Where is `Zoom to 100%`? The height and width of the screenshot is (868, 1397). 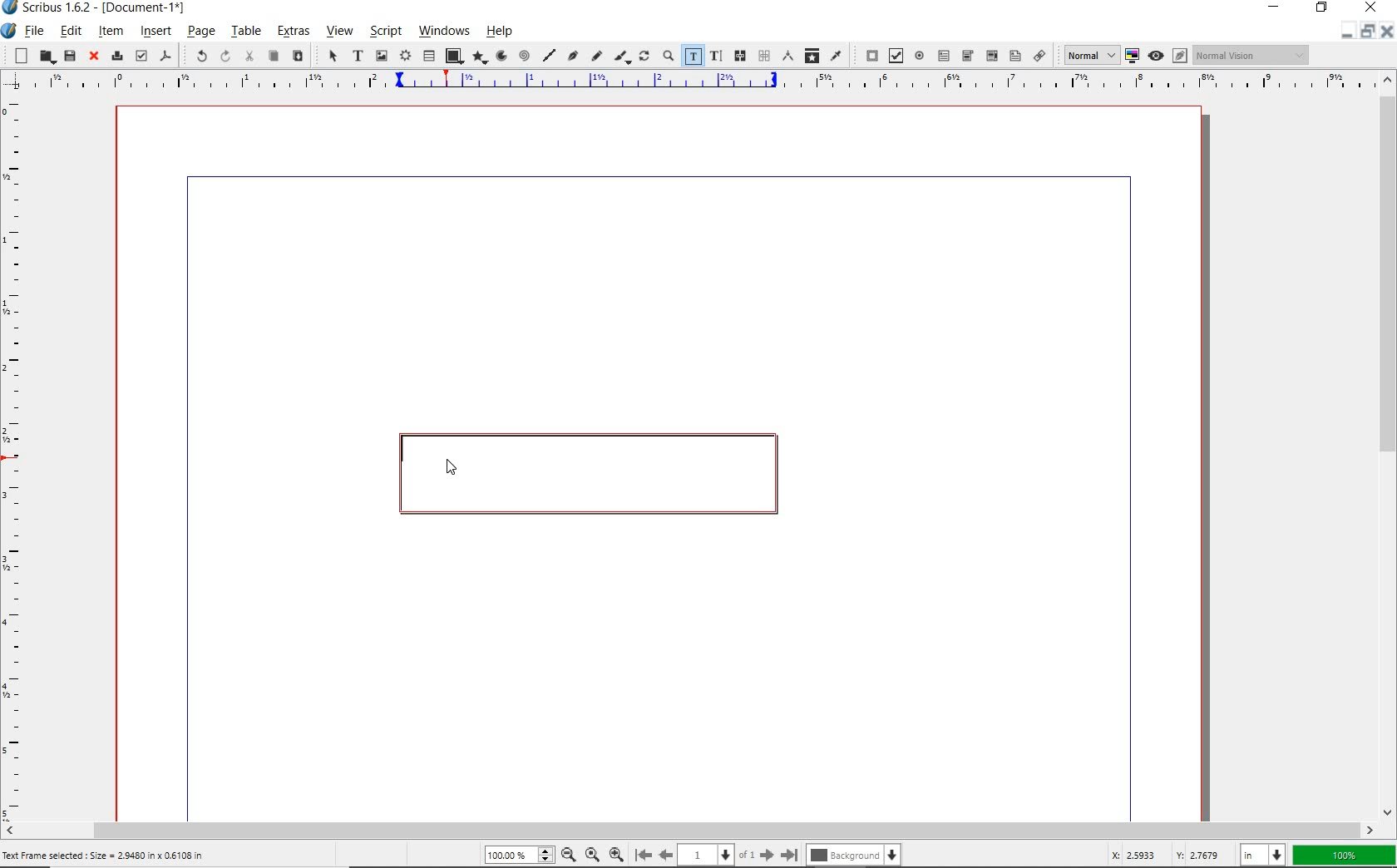
Zoom to 100% is located at coordinates (590, 854).